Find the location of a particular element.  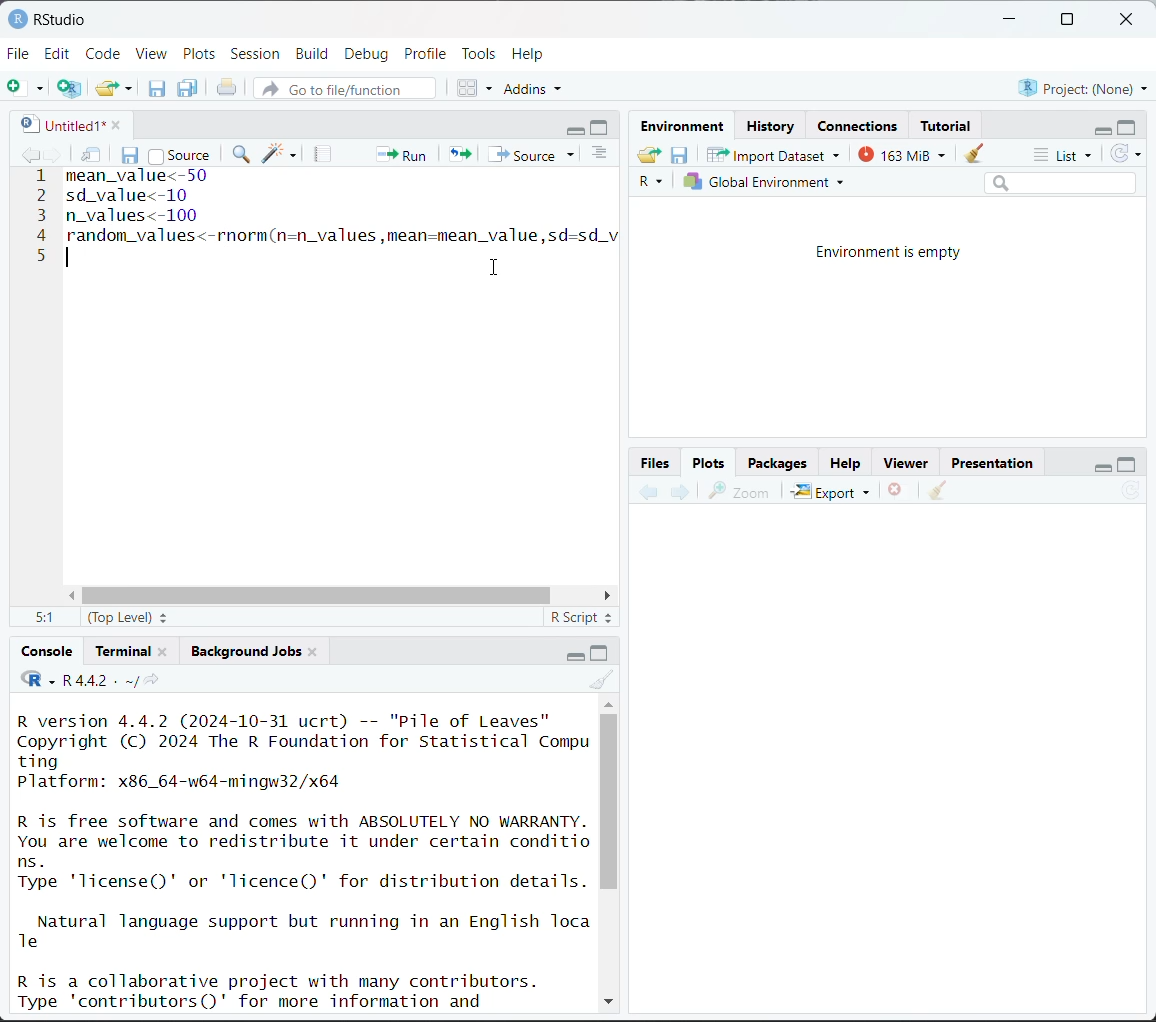

go forward to next source location is located at coordinates (54, 156).